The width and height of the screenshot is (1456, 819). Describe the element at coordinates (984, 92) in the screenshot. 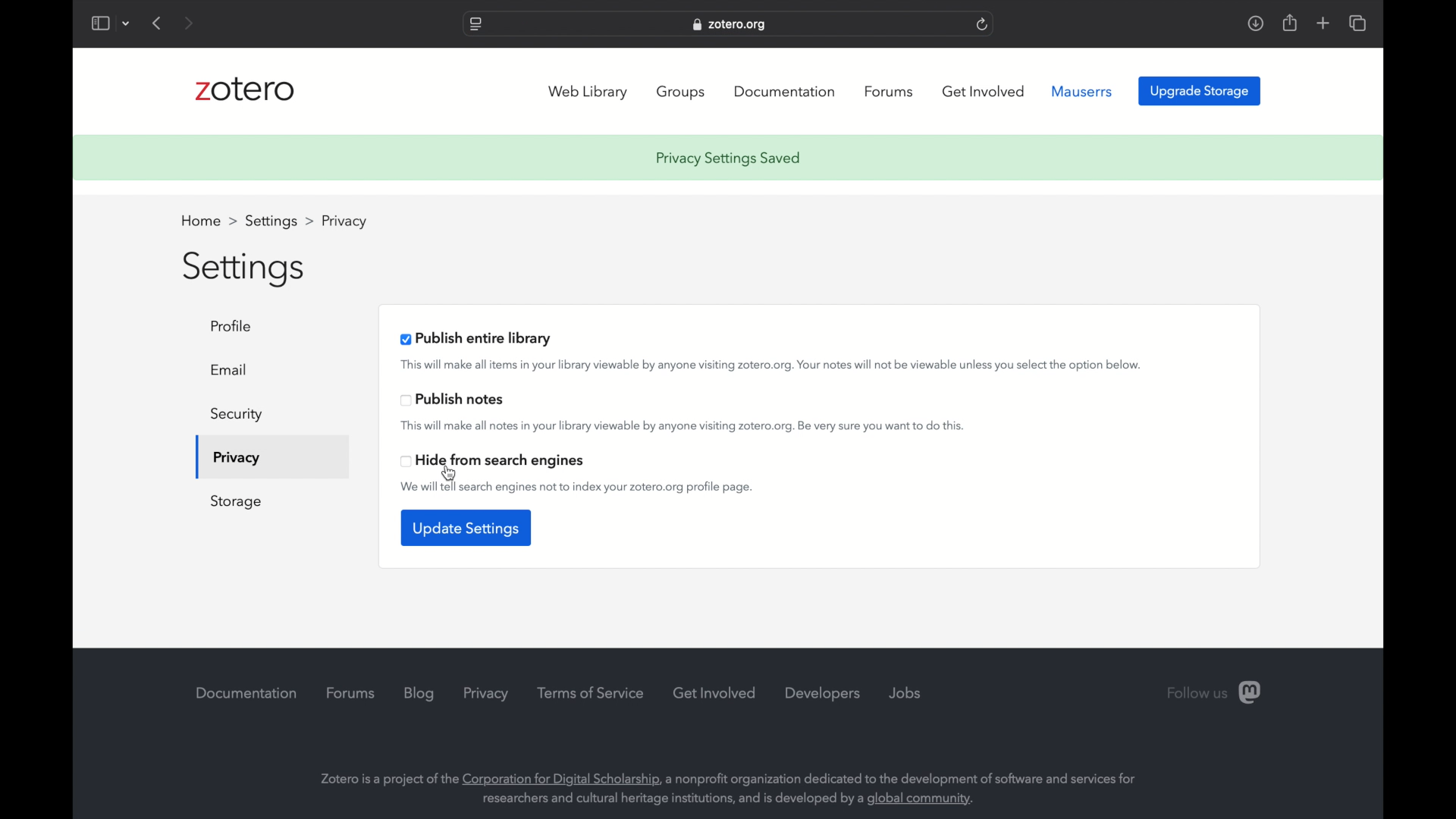

I see `get involved` at that location.